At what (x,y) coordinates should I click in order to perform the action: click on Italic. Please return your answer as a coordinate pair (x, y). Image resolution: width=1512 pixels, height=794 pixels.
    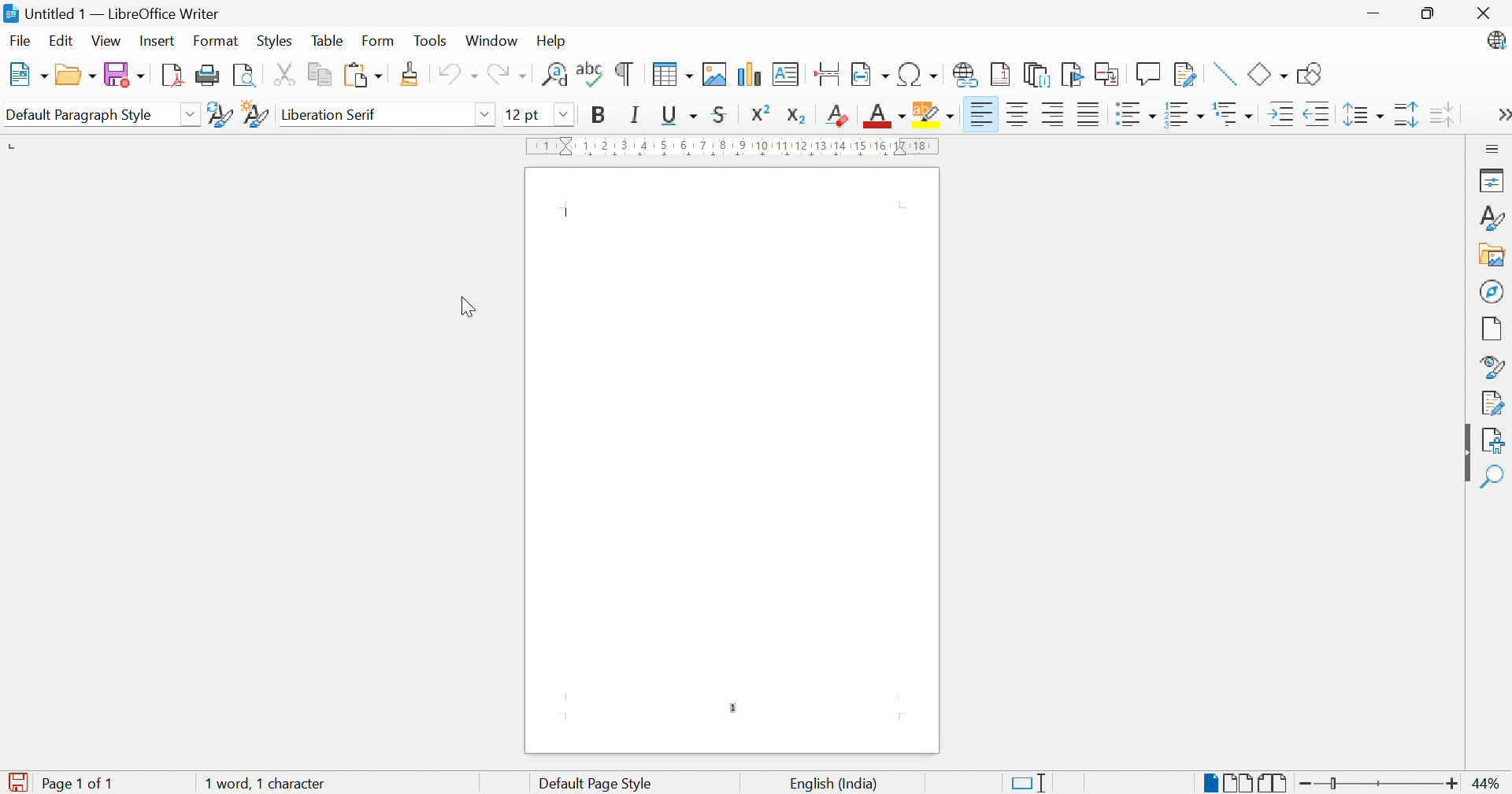
    Looking at the image, I should click on (632, 114).